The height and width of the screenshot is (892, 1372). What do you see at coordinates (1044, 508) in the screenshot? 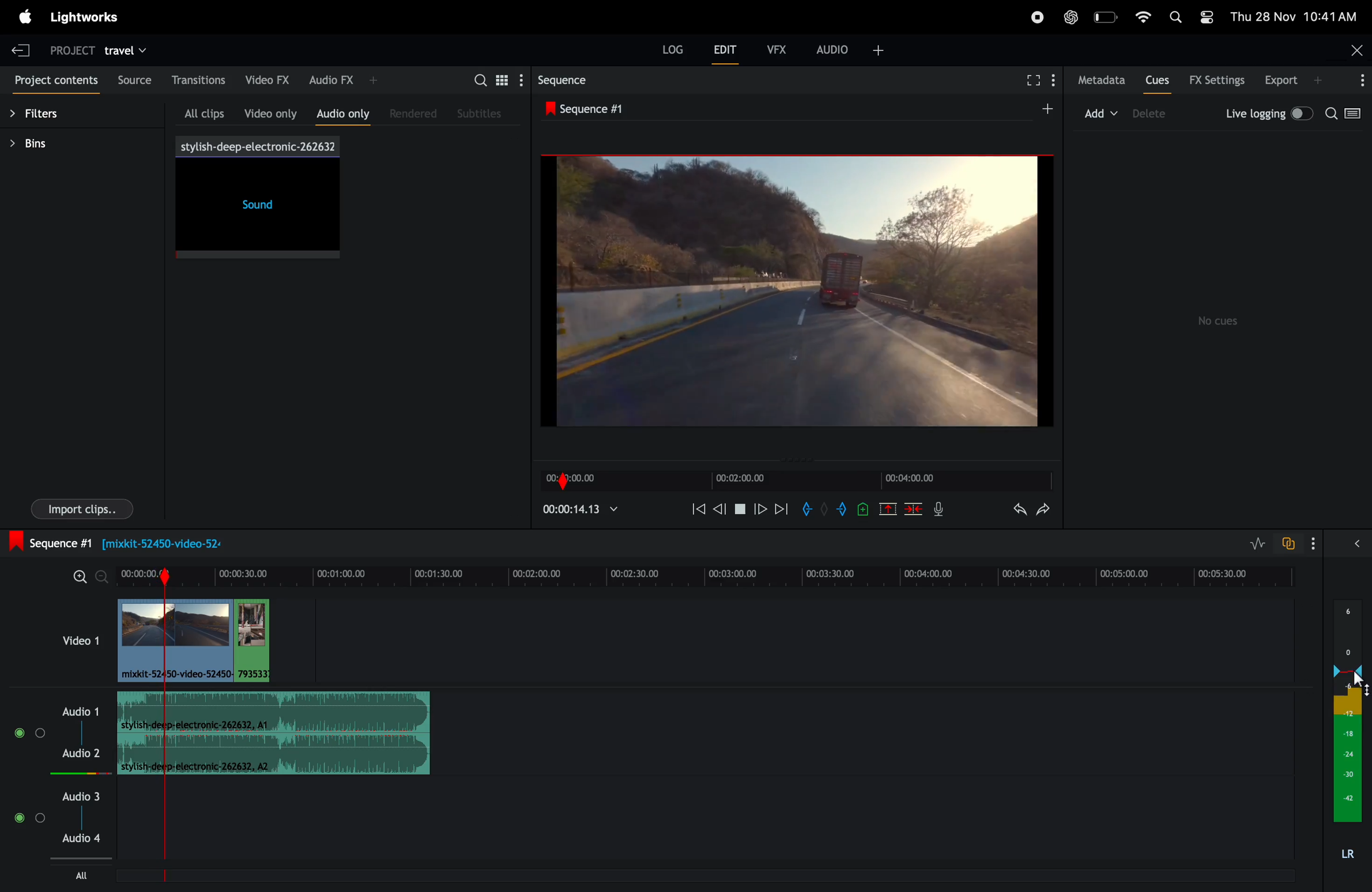
I see `redo` at bounding box center [1044, 508].